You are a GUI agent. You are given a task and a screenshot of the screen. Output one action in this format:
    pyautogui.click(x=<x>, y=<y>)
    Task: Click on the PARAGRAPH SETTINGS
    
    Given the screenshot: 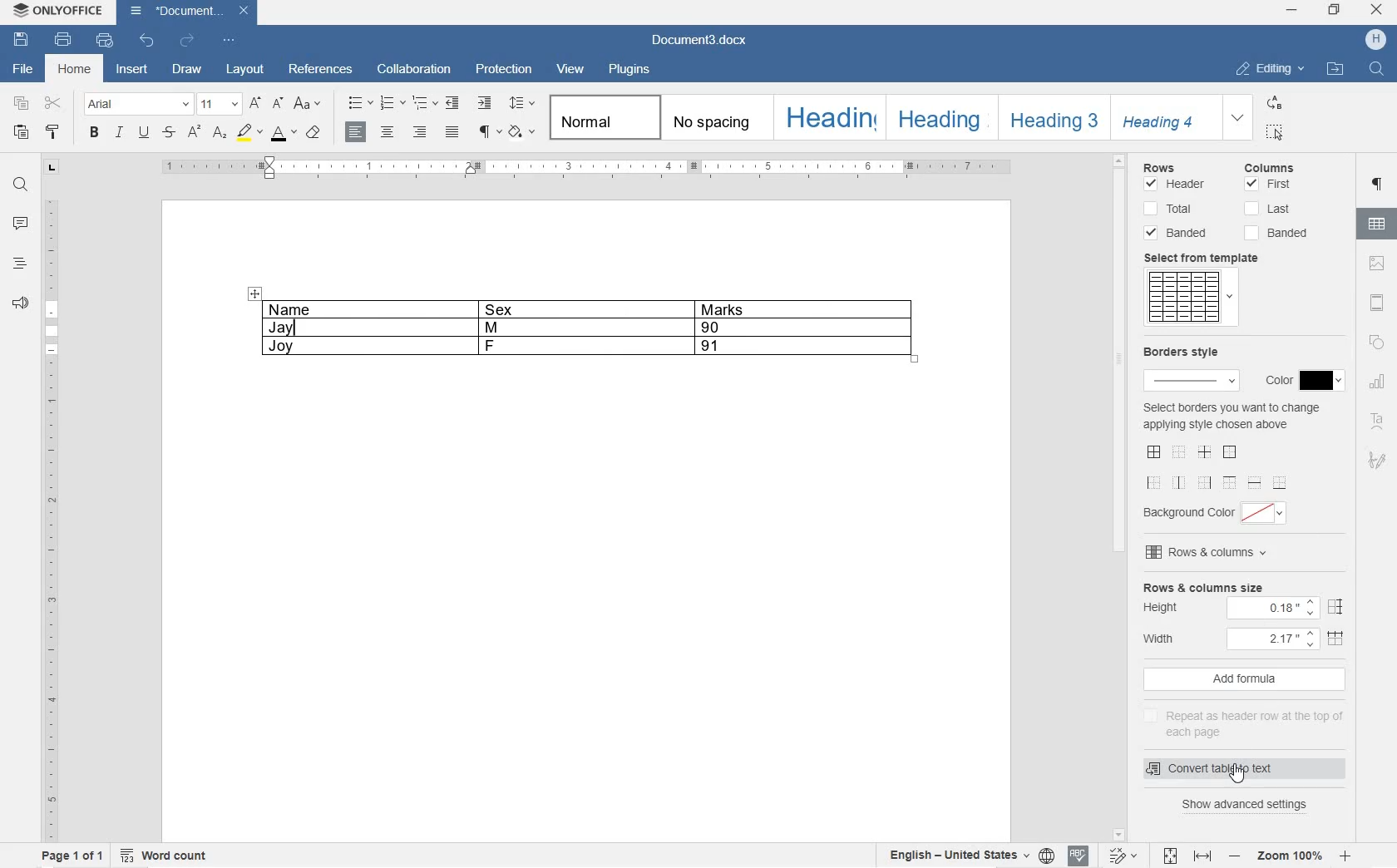 What is the action you would take?
    pyautogui.click(x=1376, y=186)
    